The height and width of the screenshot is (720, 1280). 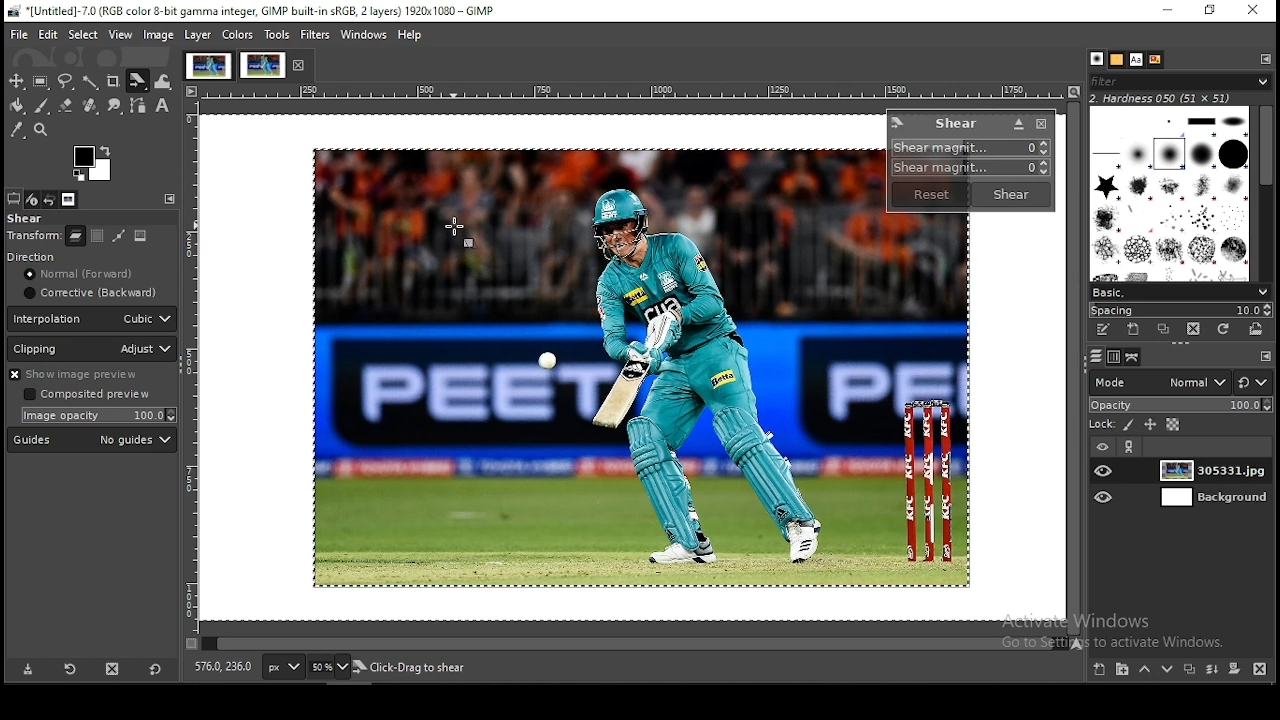 What do you see at coordinates (1095, 356) in the screenshot?
I see `paths` at bounding box center [1095, 356].